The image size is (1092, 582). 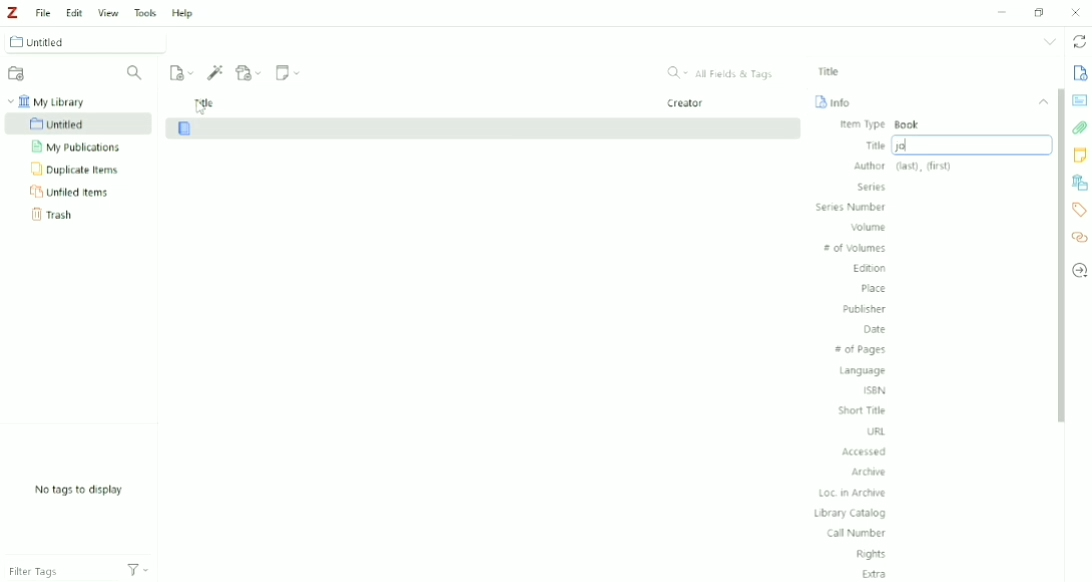 I want to click on Edit, so click(x=72, y=10).